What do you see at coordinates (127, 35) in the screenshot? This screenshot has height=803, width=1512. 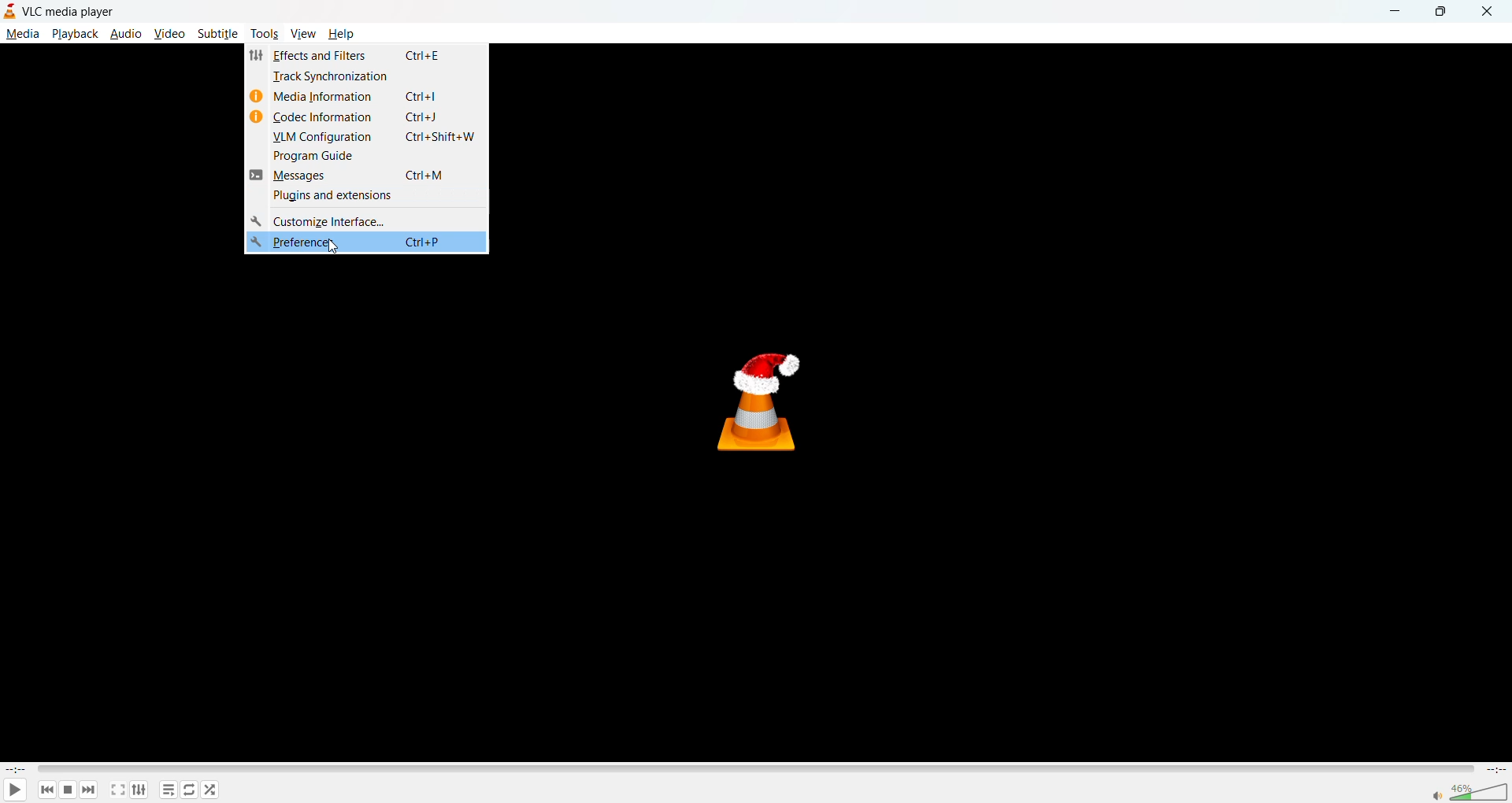 I see `audio` at bounding box center [127, 35].